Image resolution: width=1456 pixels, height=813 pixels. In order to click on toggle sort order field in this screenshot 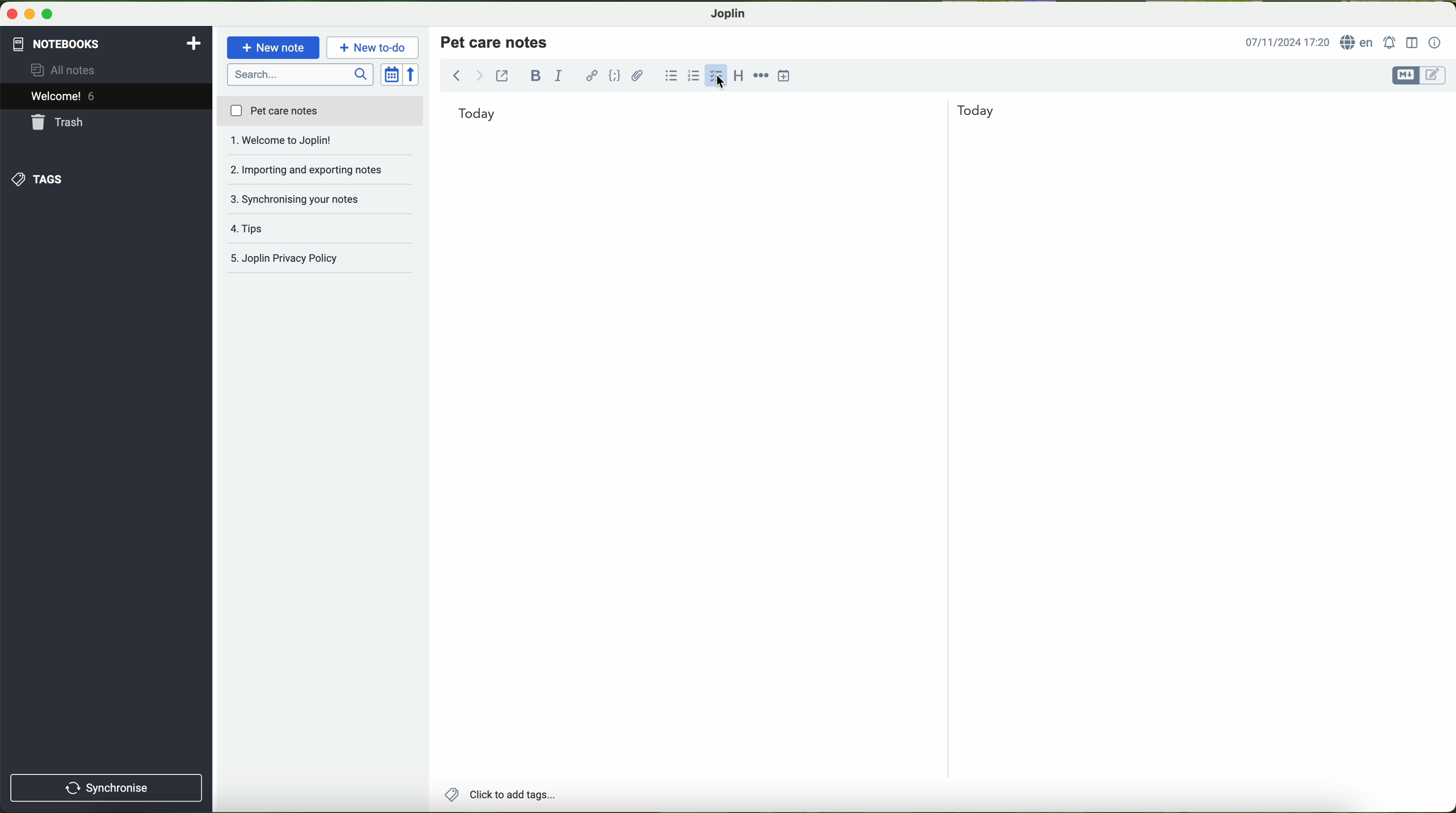, I will do `click(392, 75)`.